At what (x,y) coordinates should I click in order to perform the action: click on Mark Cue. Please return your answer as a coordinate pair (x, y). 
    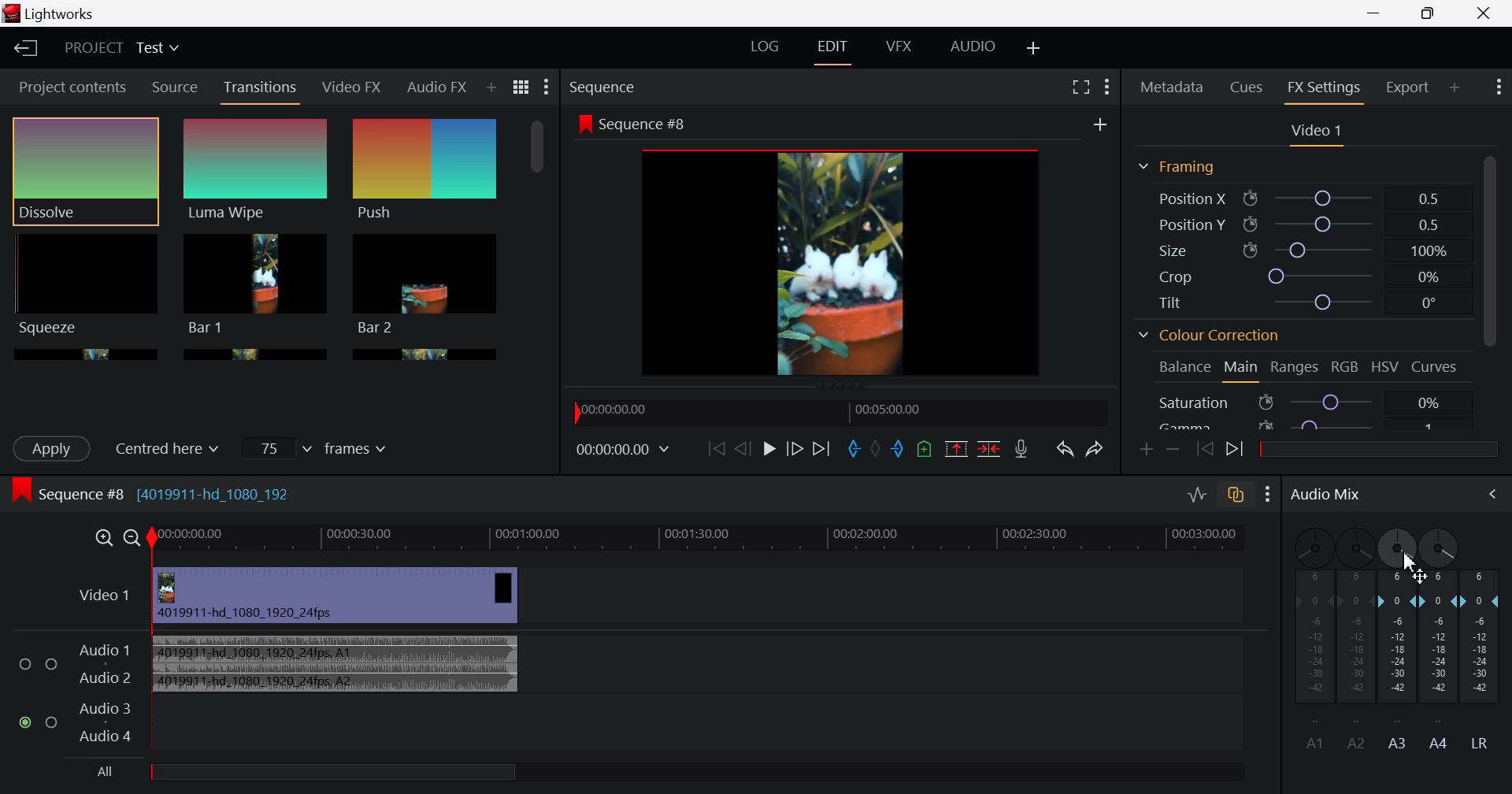
    Looking at the image, I should click on (923, 449).